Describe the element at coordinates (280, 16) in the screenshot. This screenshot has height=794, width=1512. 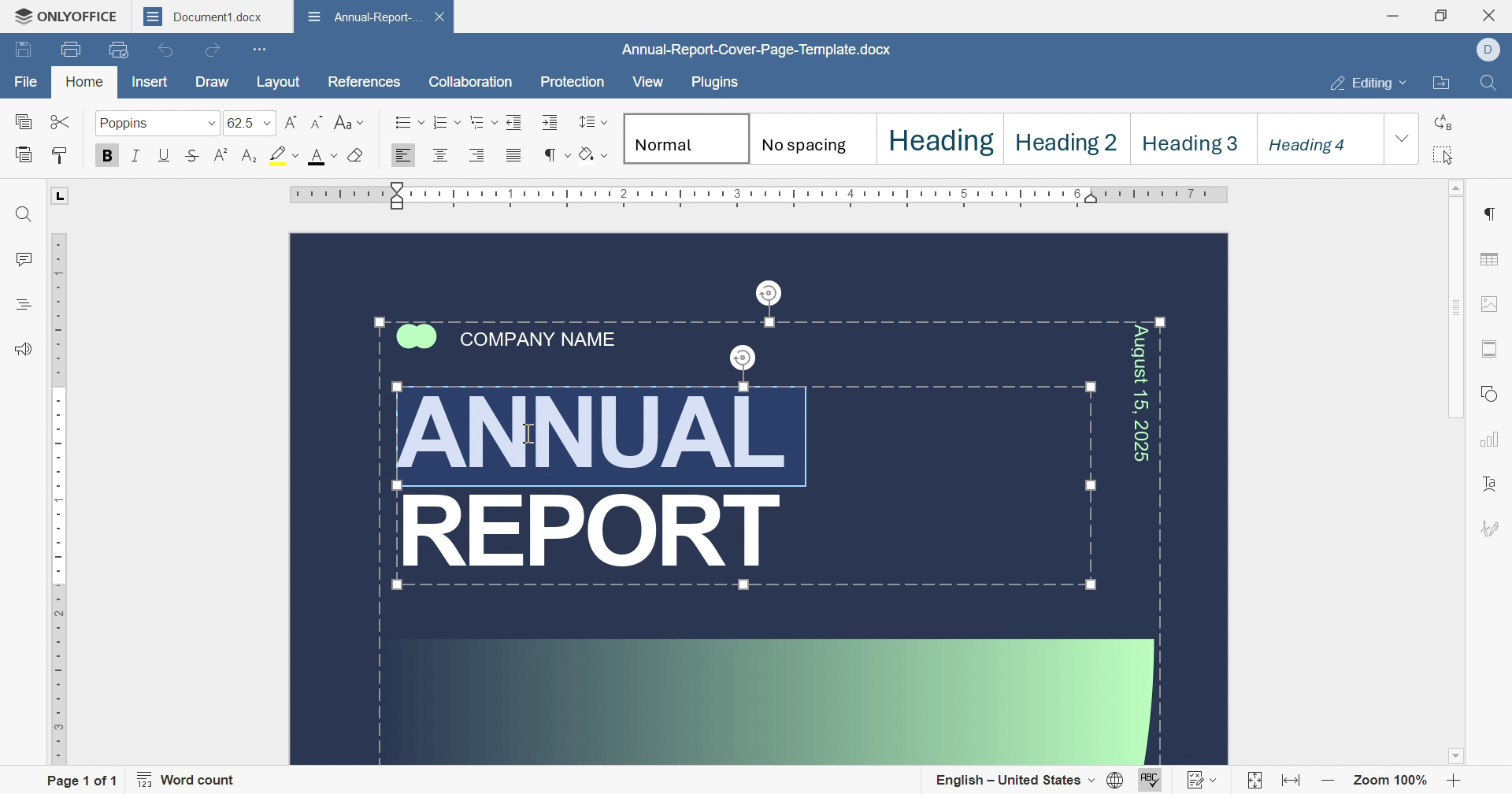
I see `close` at that location.